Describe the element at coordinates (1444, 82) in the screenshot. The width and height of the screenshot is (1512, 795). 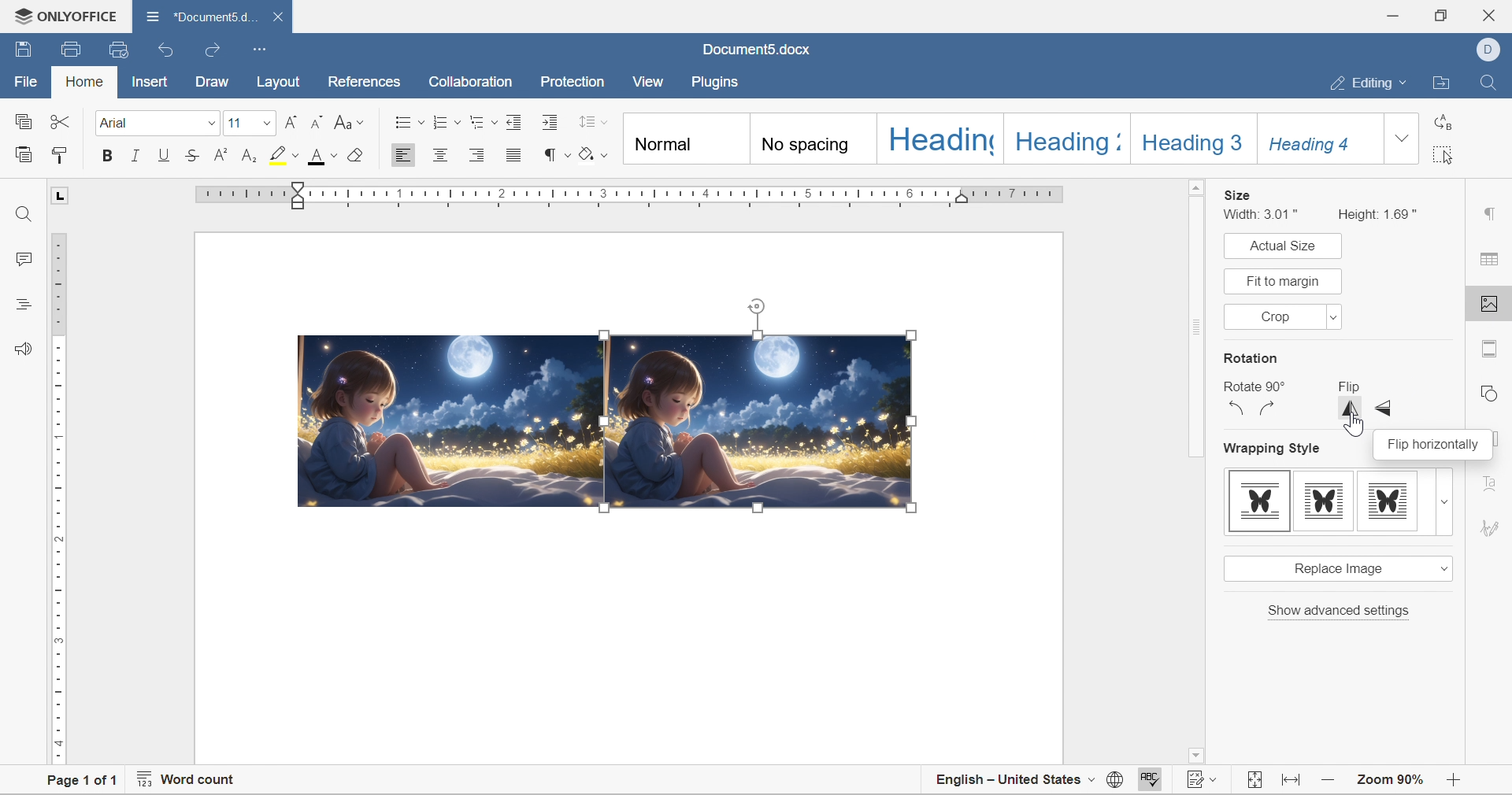
I see `open file location` at that location.